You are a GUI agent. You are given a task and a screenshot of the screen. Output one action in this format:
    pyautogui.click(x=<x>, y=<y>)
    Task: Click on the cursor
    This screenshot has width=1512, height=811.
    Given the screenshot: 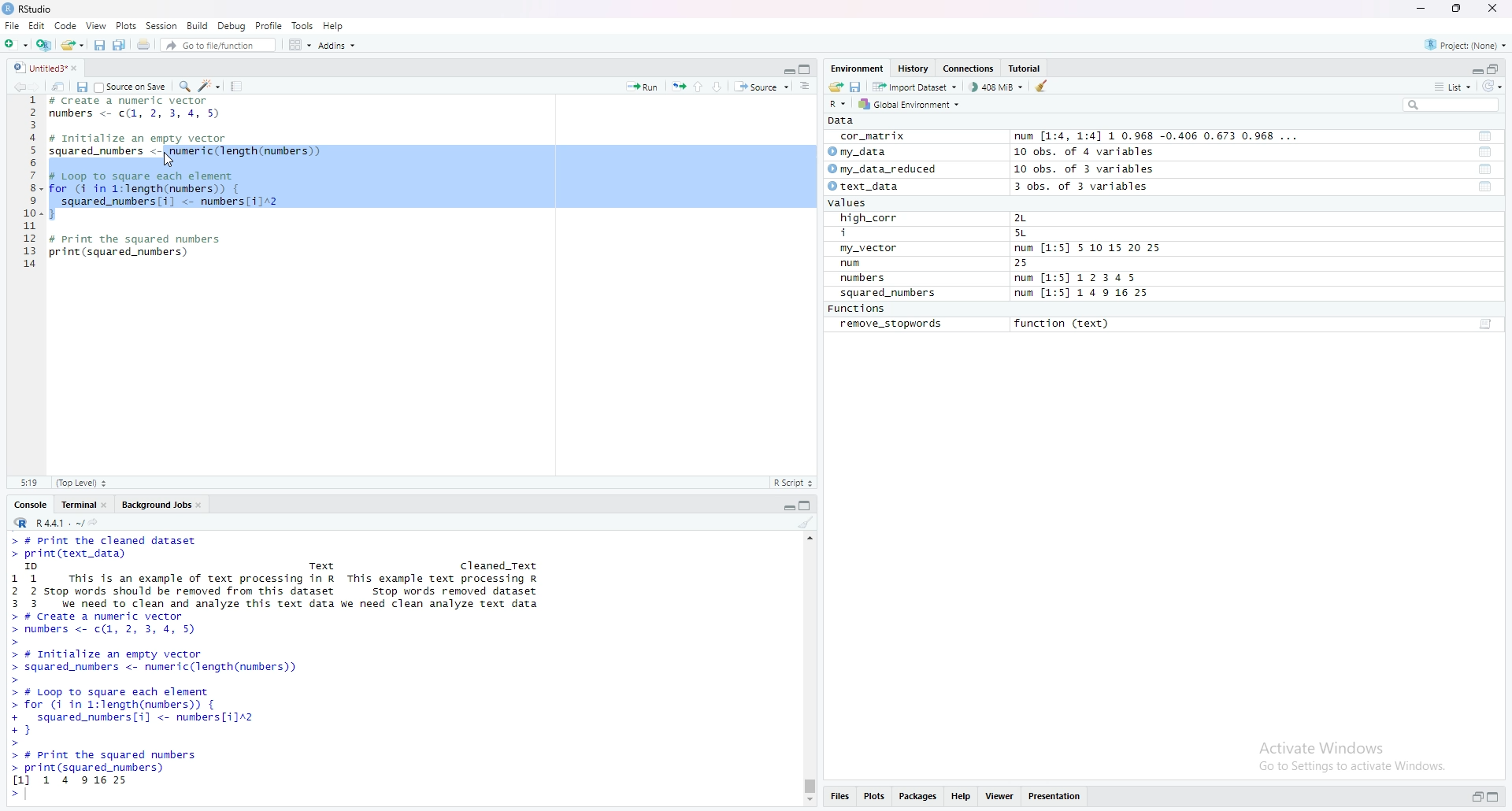 What is the action you would take?
    pyautogui.click(x=170, y=160)
    